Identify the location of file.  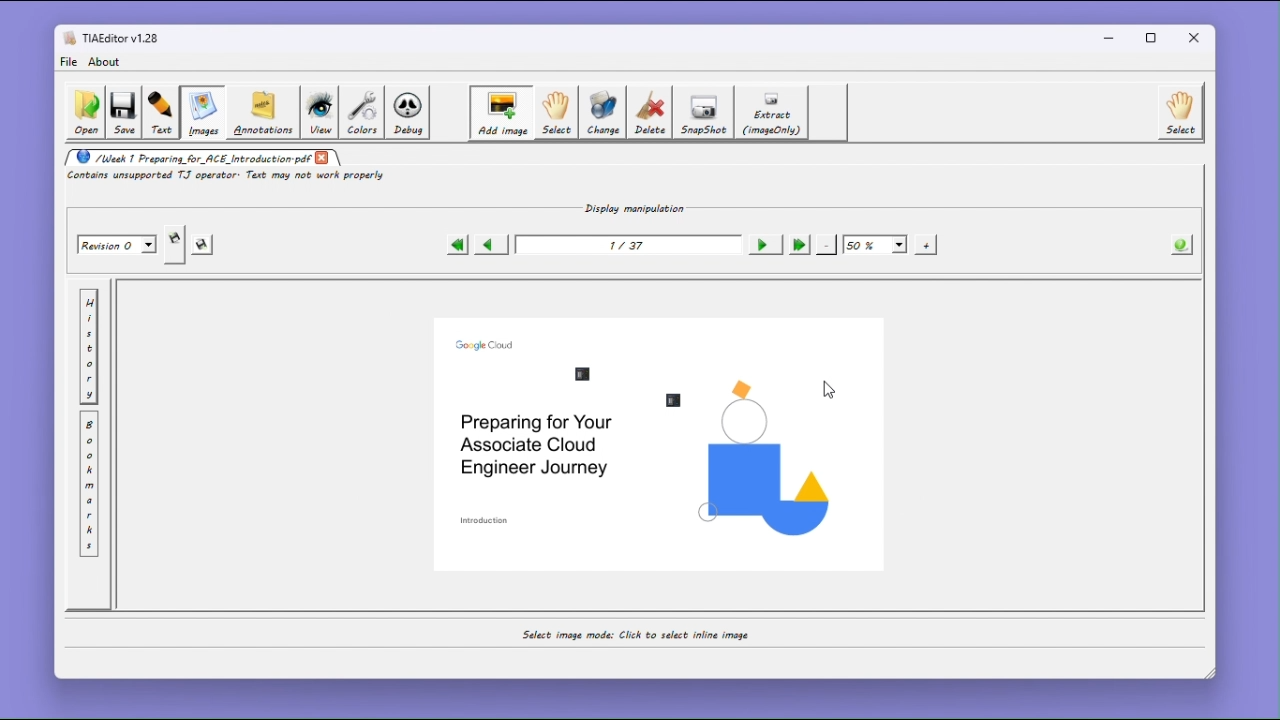
(68, 62).